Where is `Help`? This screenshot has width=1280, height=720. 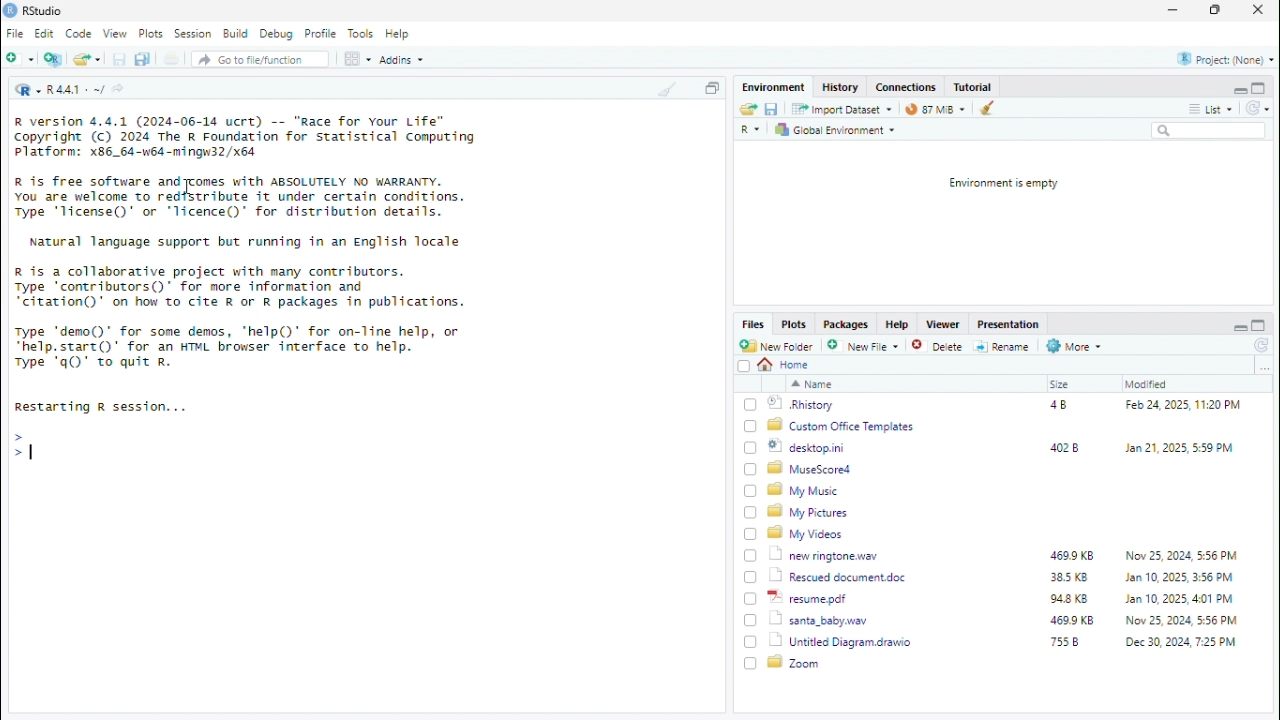 Help is located at coordinates (399, 34).